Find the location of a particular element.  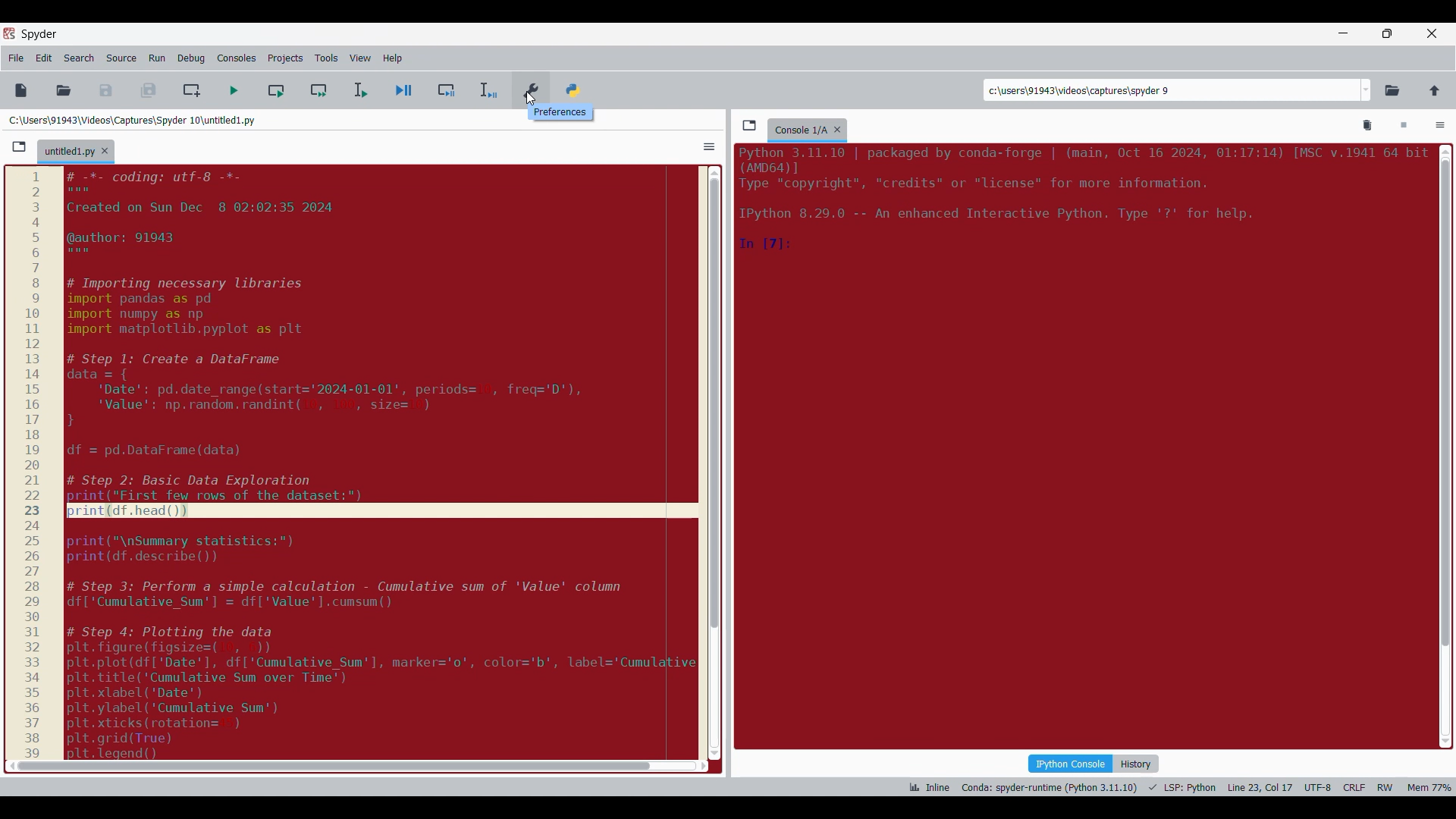

Description of current selection is located at coordinates (560, 111).